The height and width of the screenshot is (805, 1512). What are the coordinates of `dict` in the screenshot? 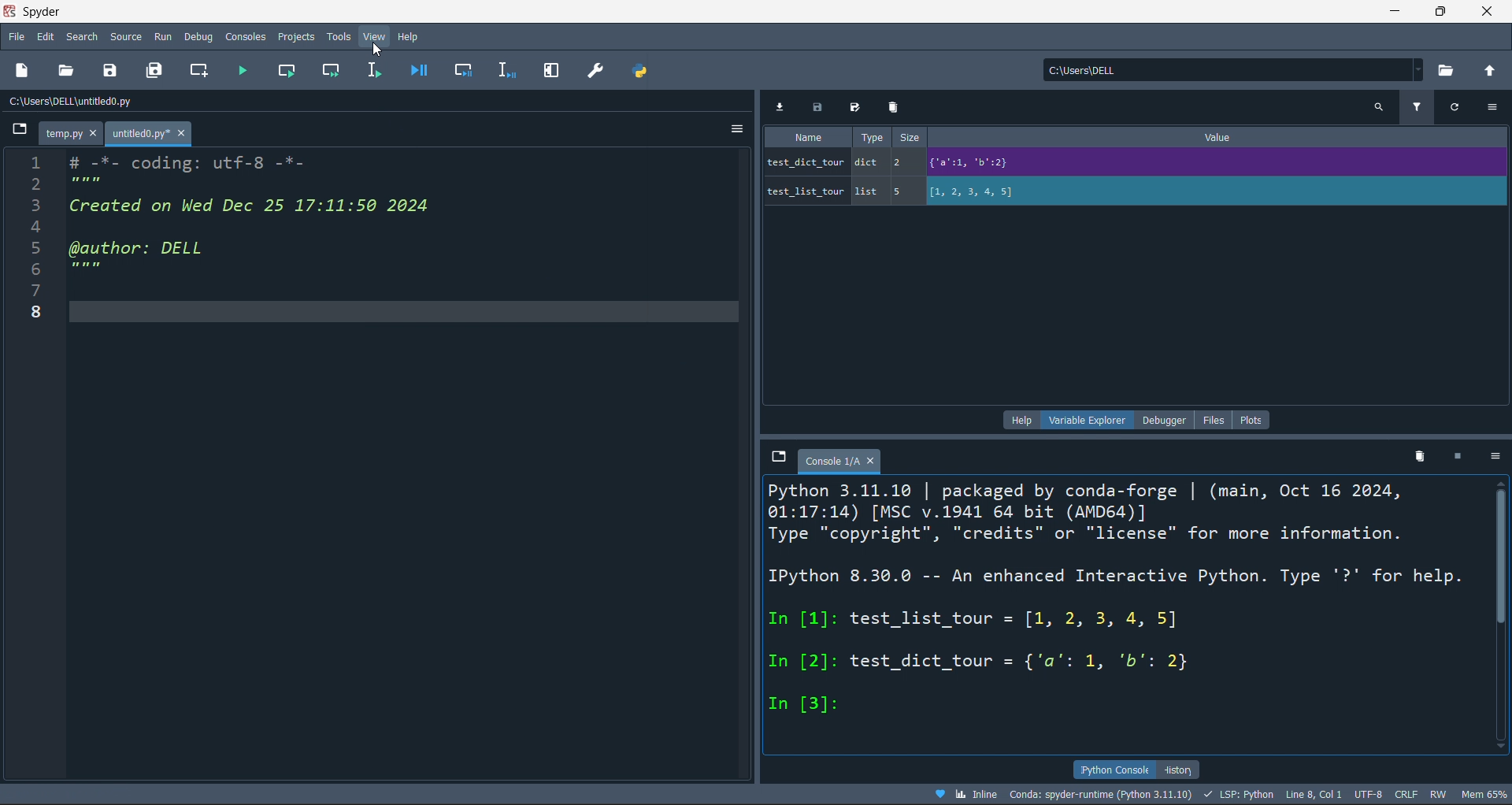 It's located at (869, 163).